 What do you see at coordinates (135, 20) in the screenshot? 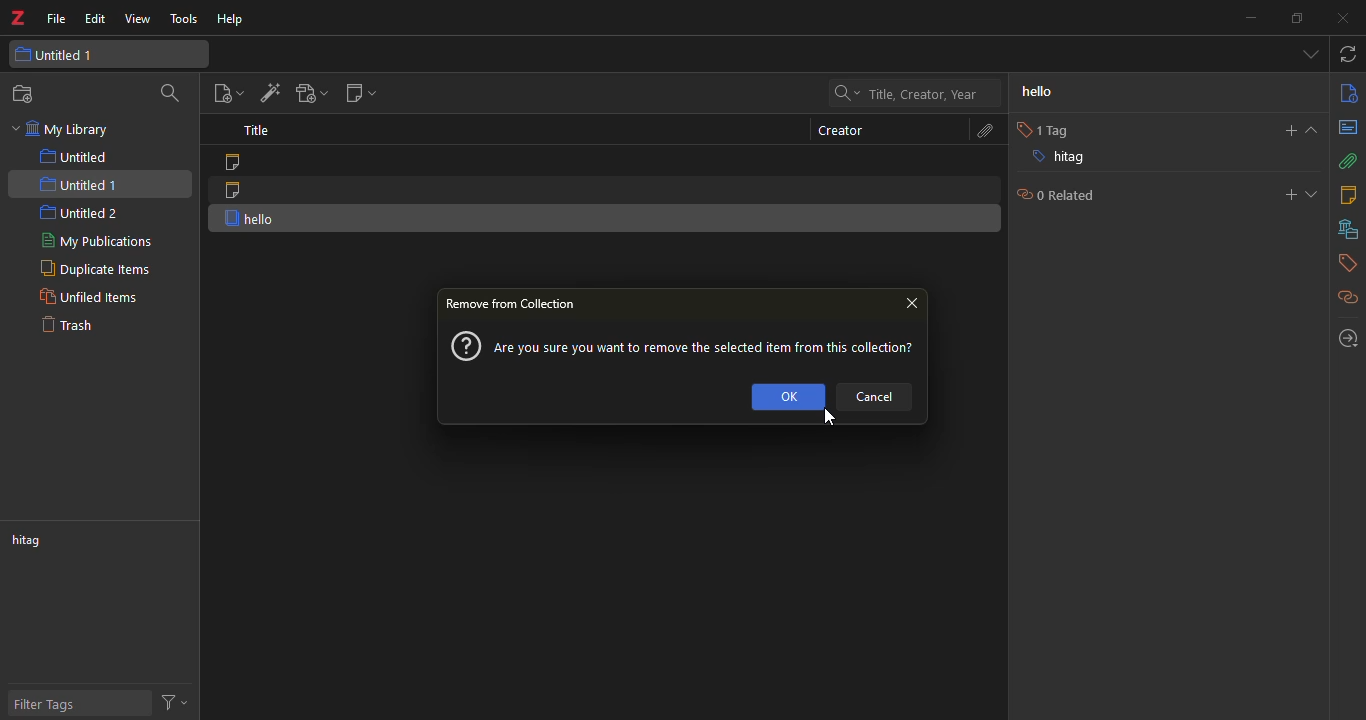
I see `view` at bounding box center [135, 20].